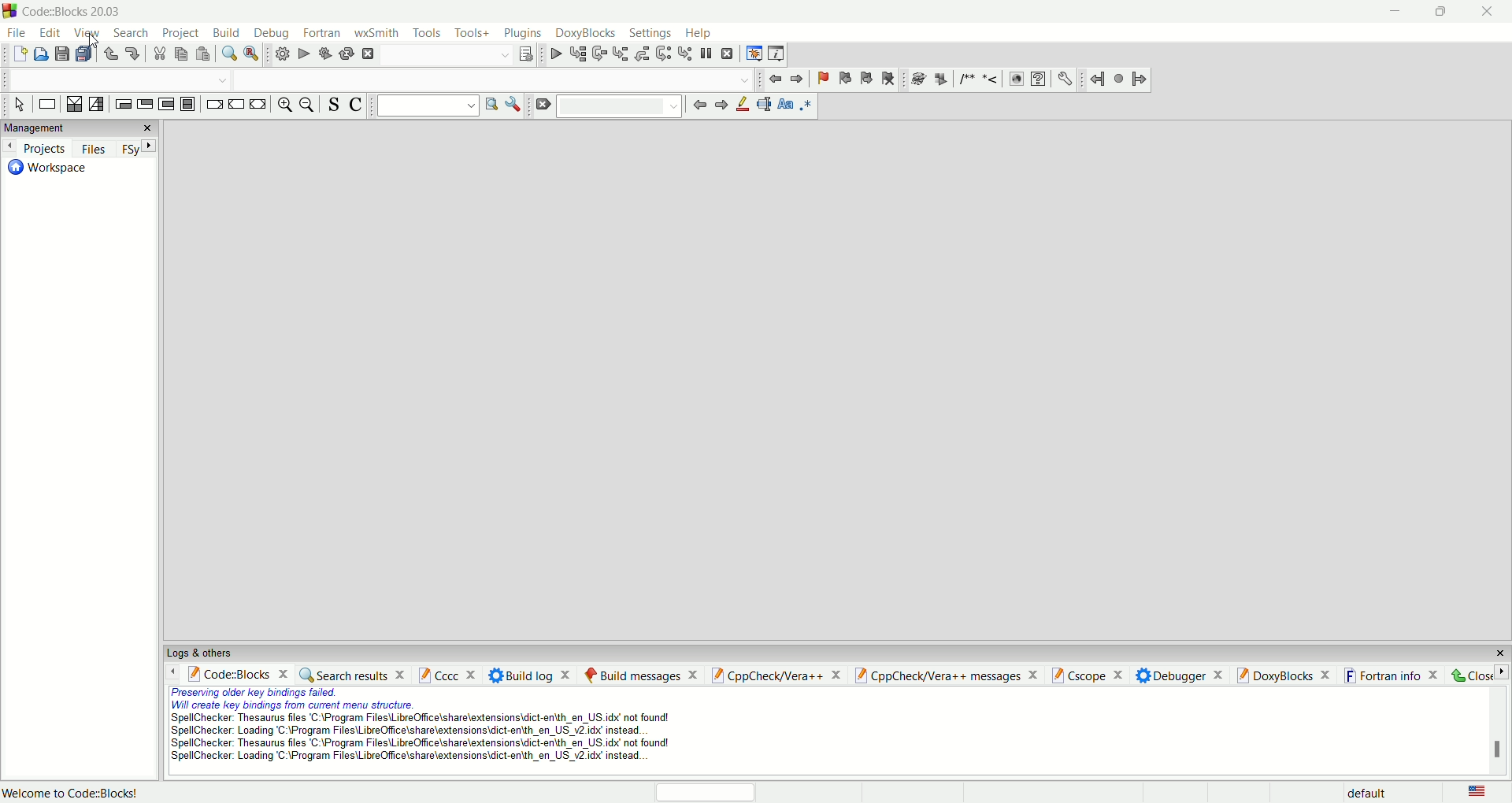 The height and width of the screenshot is (803, 1512). What do you see at coordinates (685, 54) in the screenshot?
I see `step into instruction` at bounding box center [685, 54].